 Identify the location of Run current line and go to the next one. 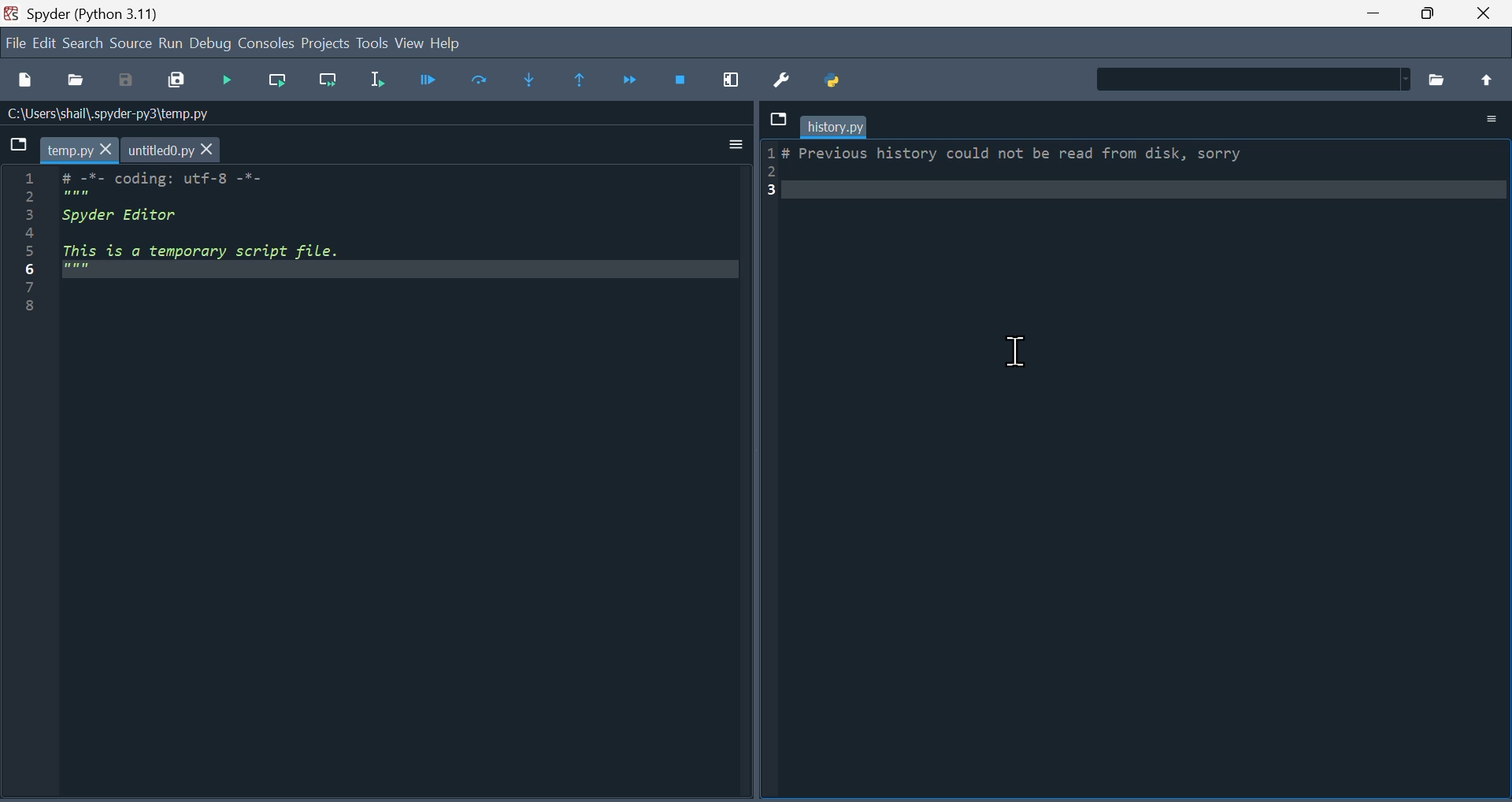
(328, 84).